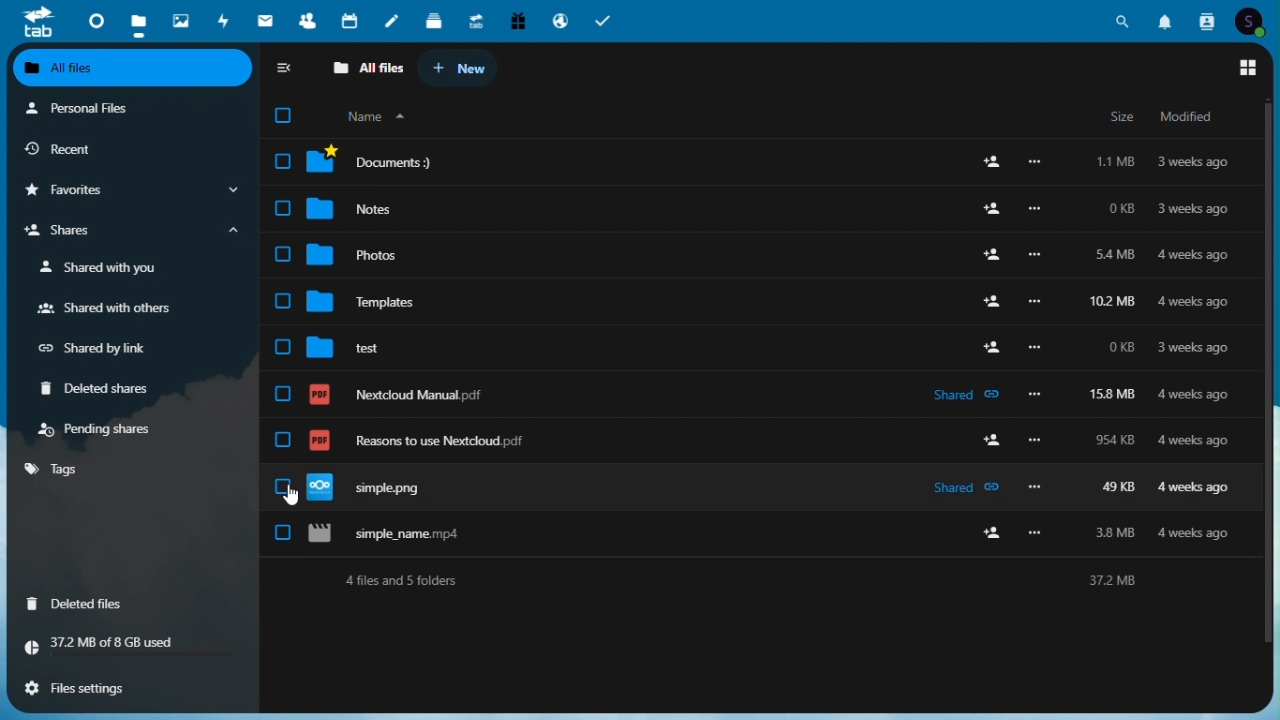 The height and width of the screenshot is (720, 1280). What do you see at coordinates (100, 429) in the screenshot?
I see `pending shares` at bounding box center [100, 429].